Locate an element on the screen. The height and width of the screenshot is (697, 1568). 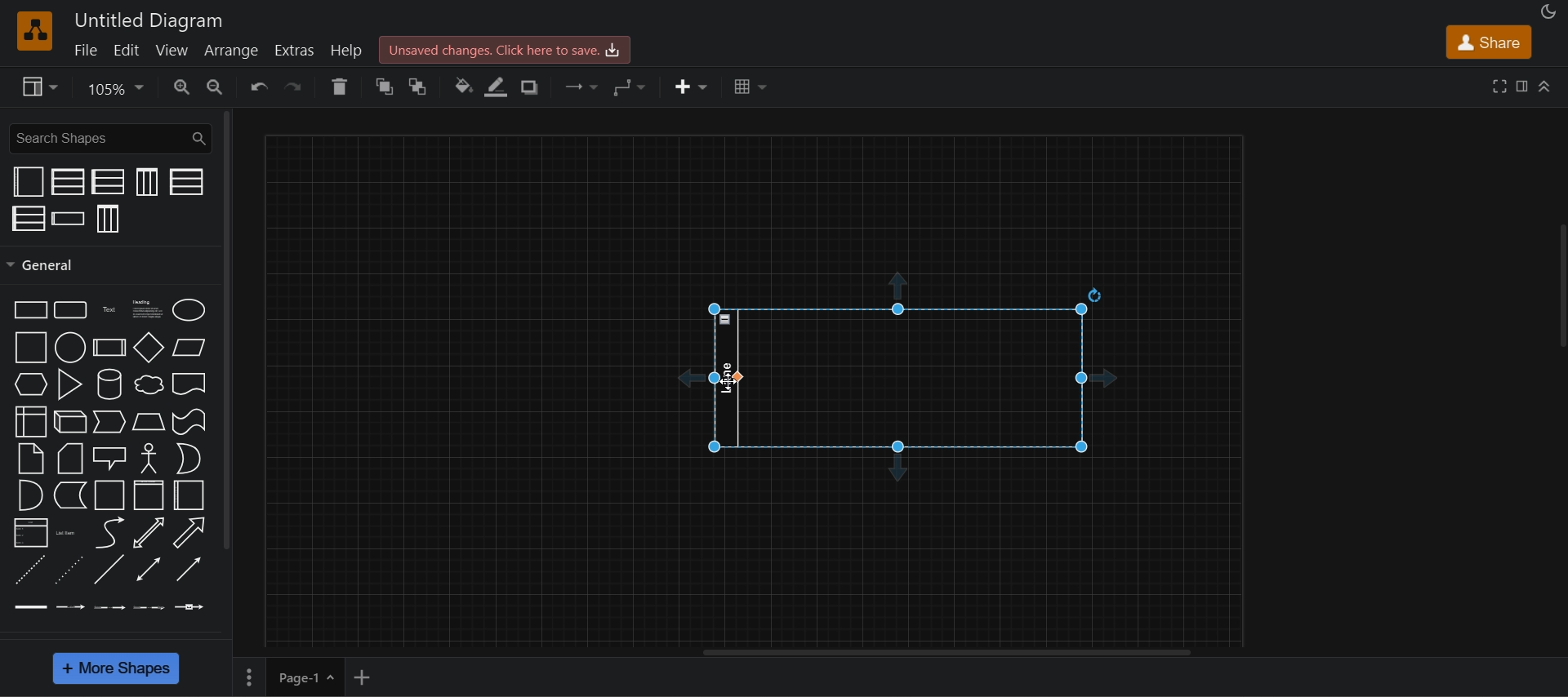
curve is located at coordinates (106, 532).